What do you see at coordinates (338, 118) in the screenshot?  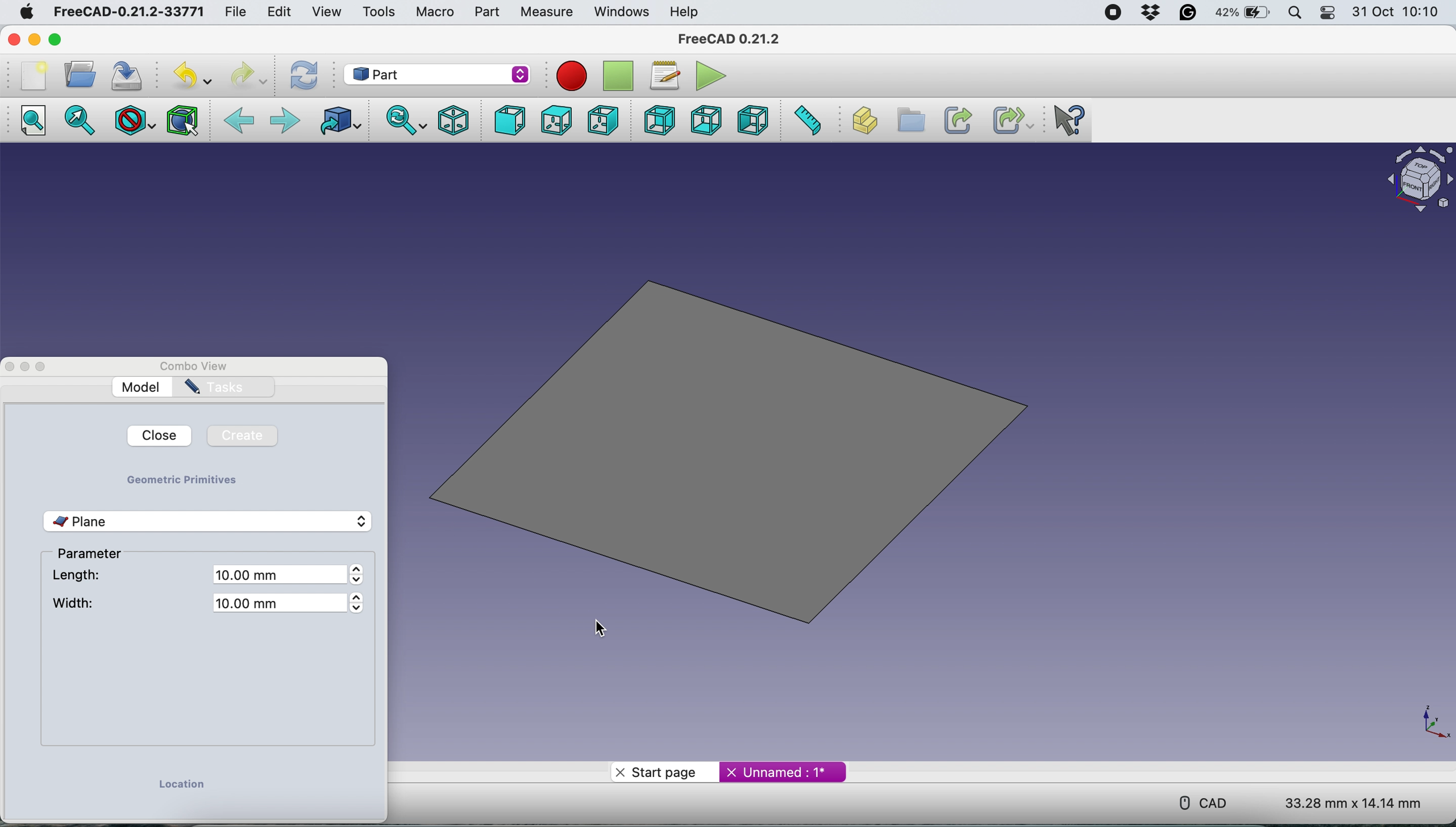 I see `Go to linked object` at bounding box center [338, 118].